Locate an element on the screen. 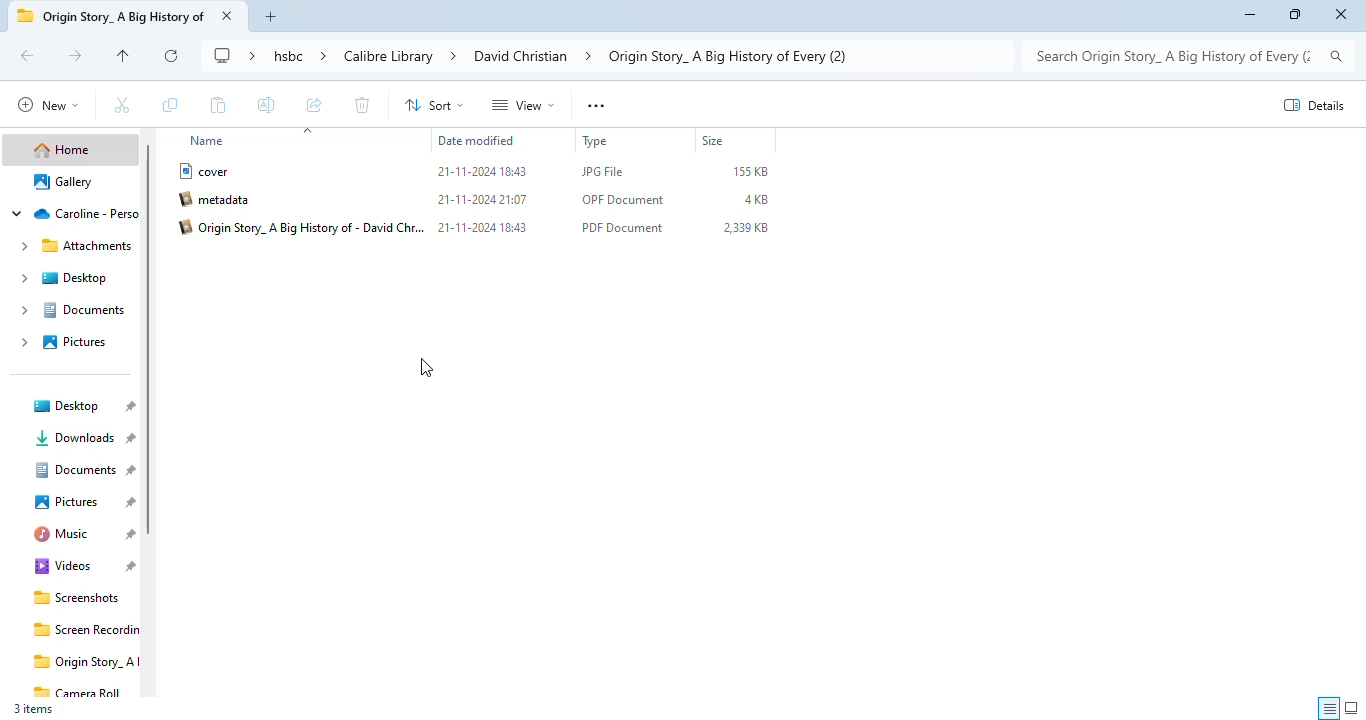  book folder is located at coordinates (84, 662).